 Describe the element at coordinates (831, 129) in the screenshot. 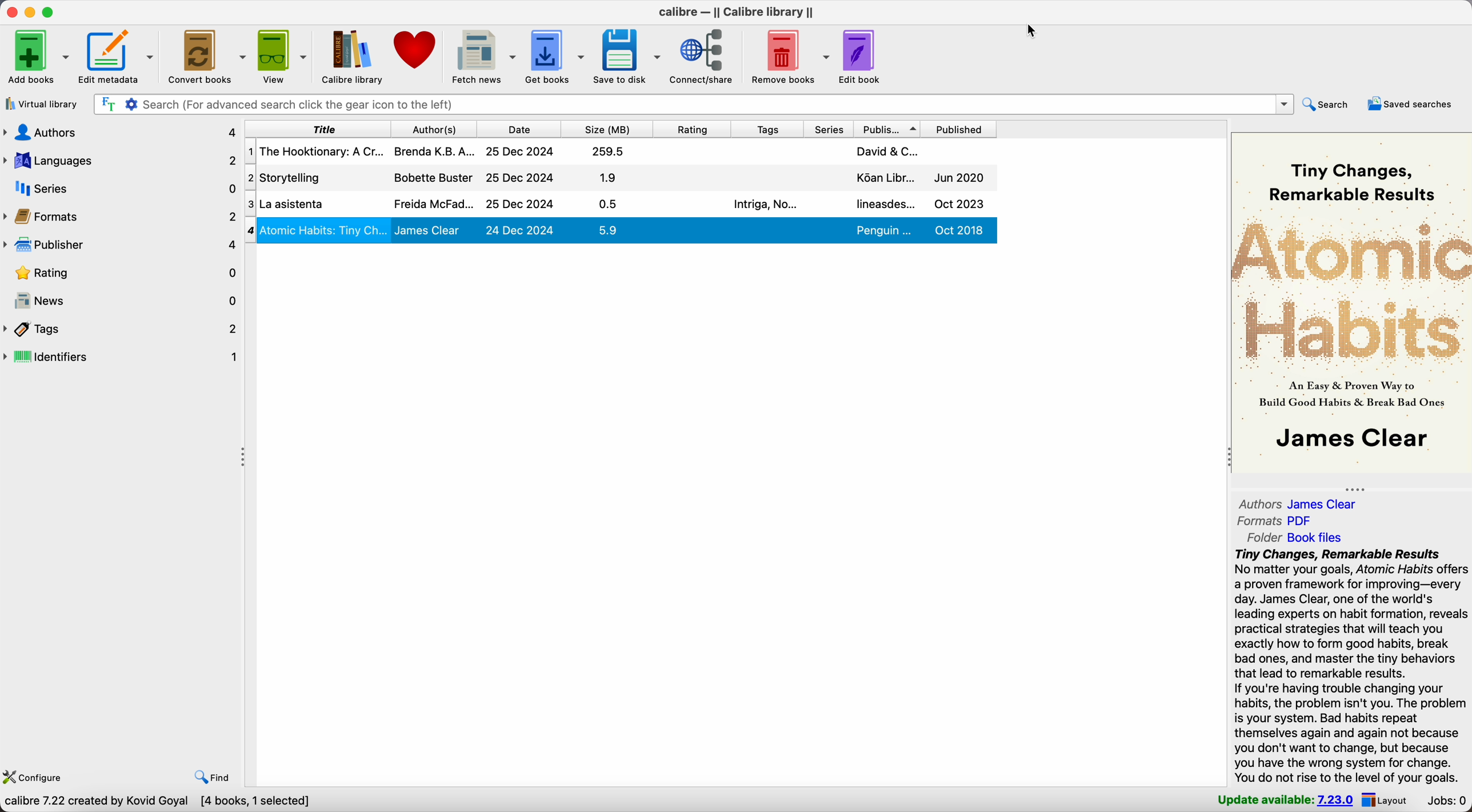

I see `series` at that location.